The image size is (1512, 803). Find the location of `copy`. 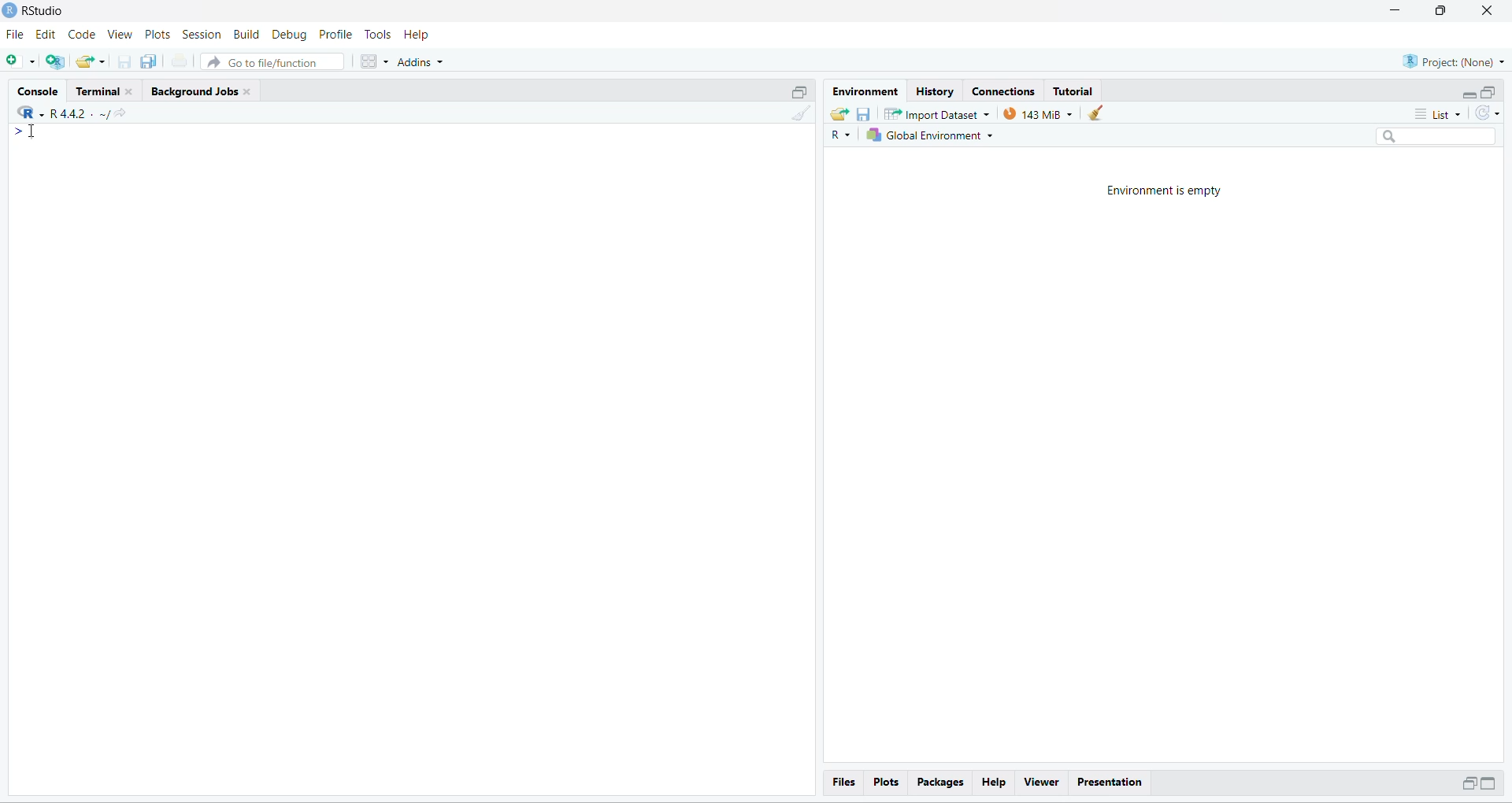

copy is located at coordinates (150, 61).